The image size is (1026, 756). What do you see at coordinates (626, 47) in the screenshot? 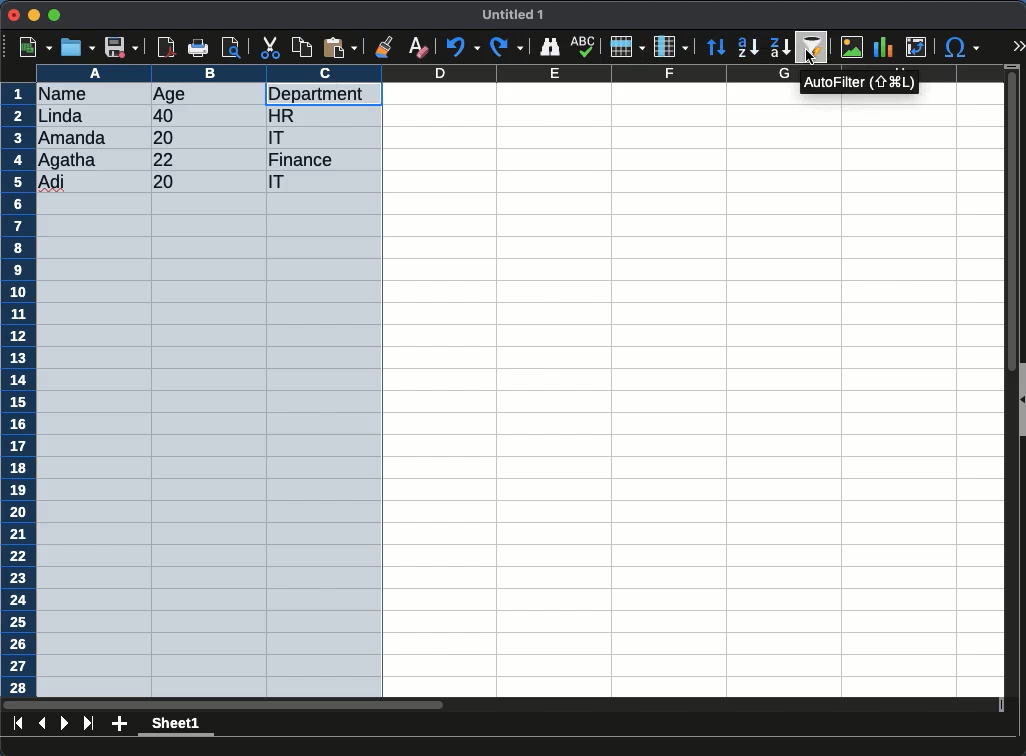
I see `rows` at bounding box center [626, 47].